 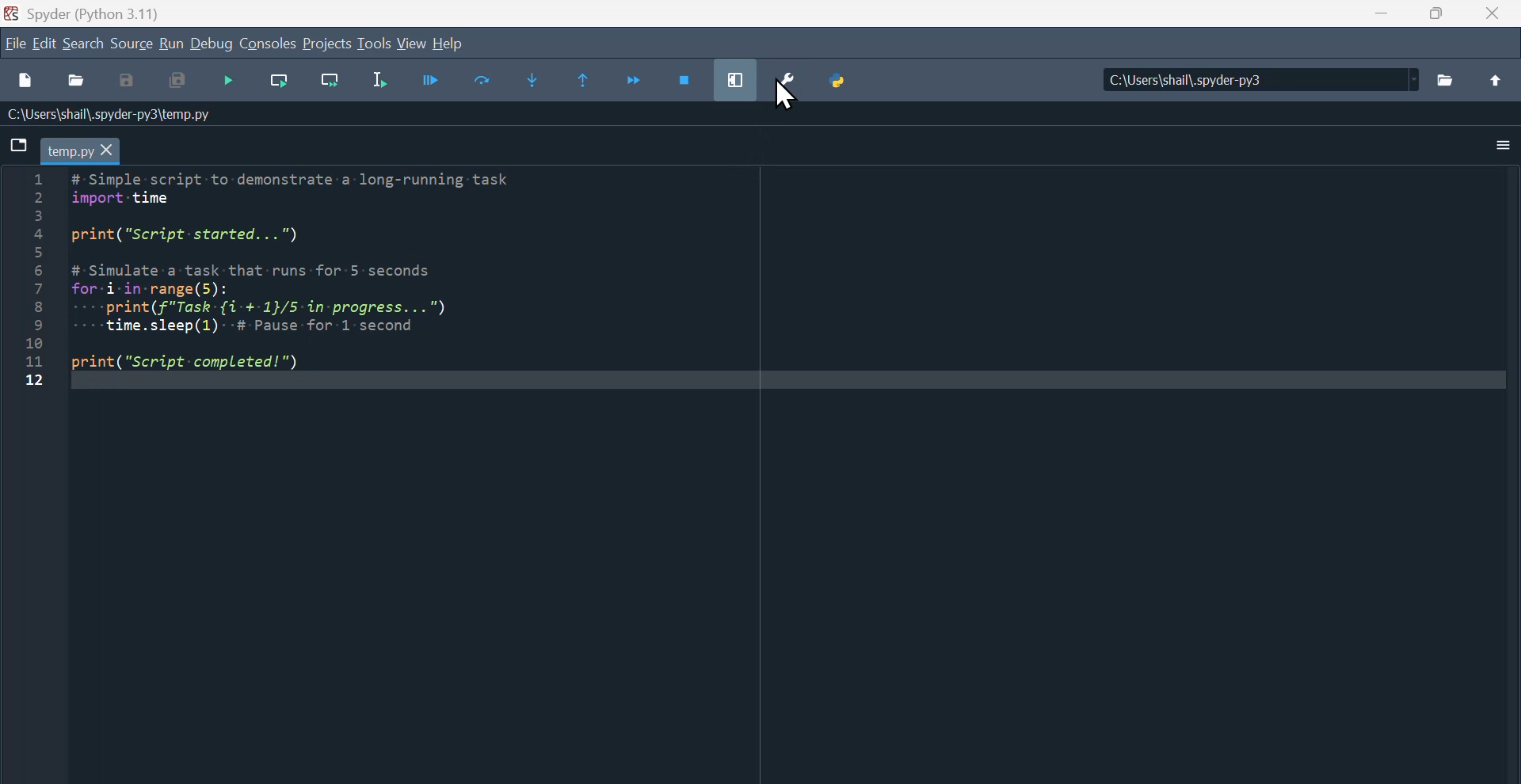 What do you see at coordinates (75, 82) in the screenshot?
I see `Open file` at bounding box center [75, 82].